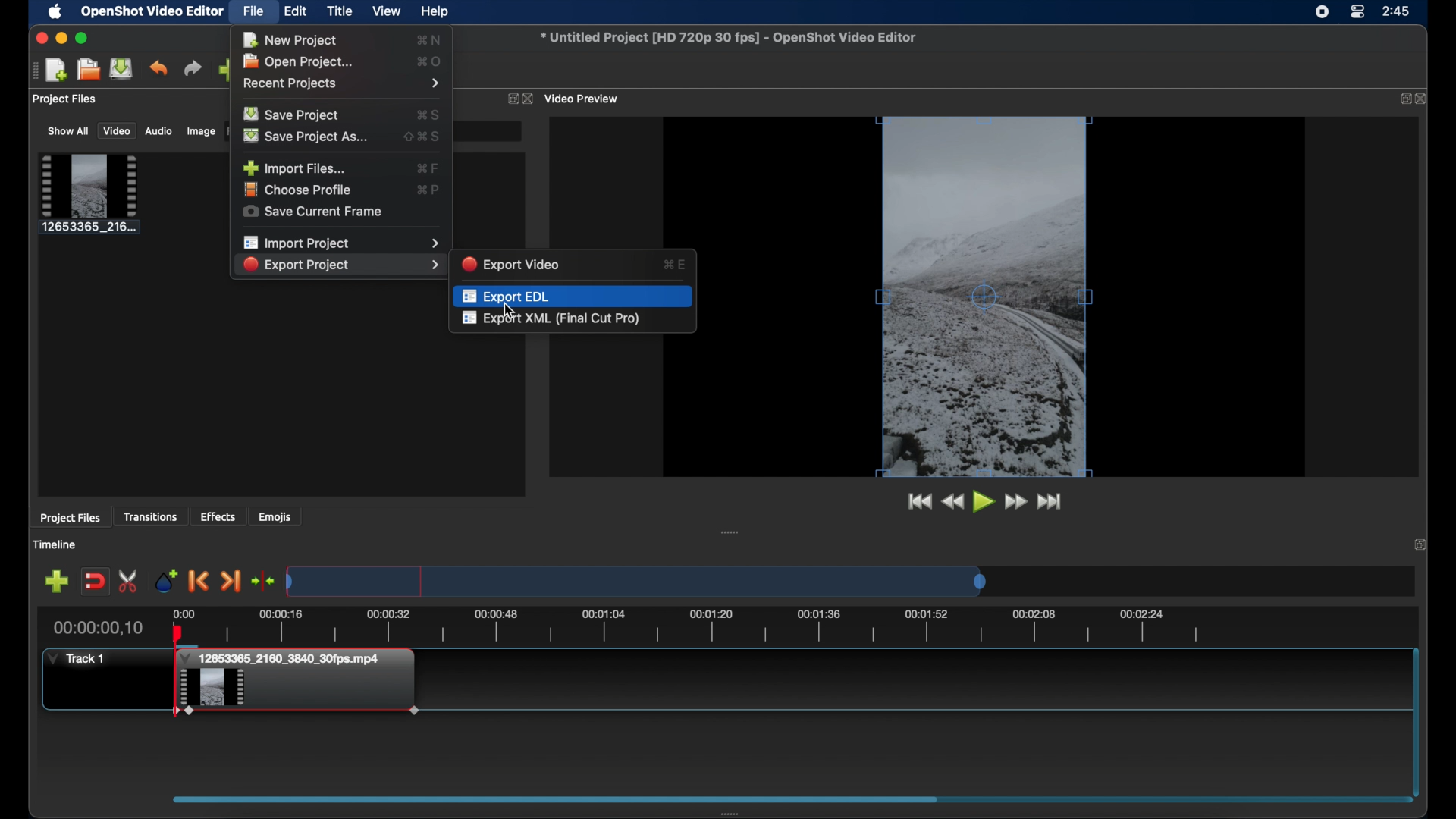 The width and height of the screenshot is (1456, 819). What do you see at coordinates (232, 582) in the screenshot?
I see `next marker` at bounding box center [232, 582].